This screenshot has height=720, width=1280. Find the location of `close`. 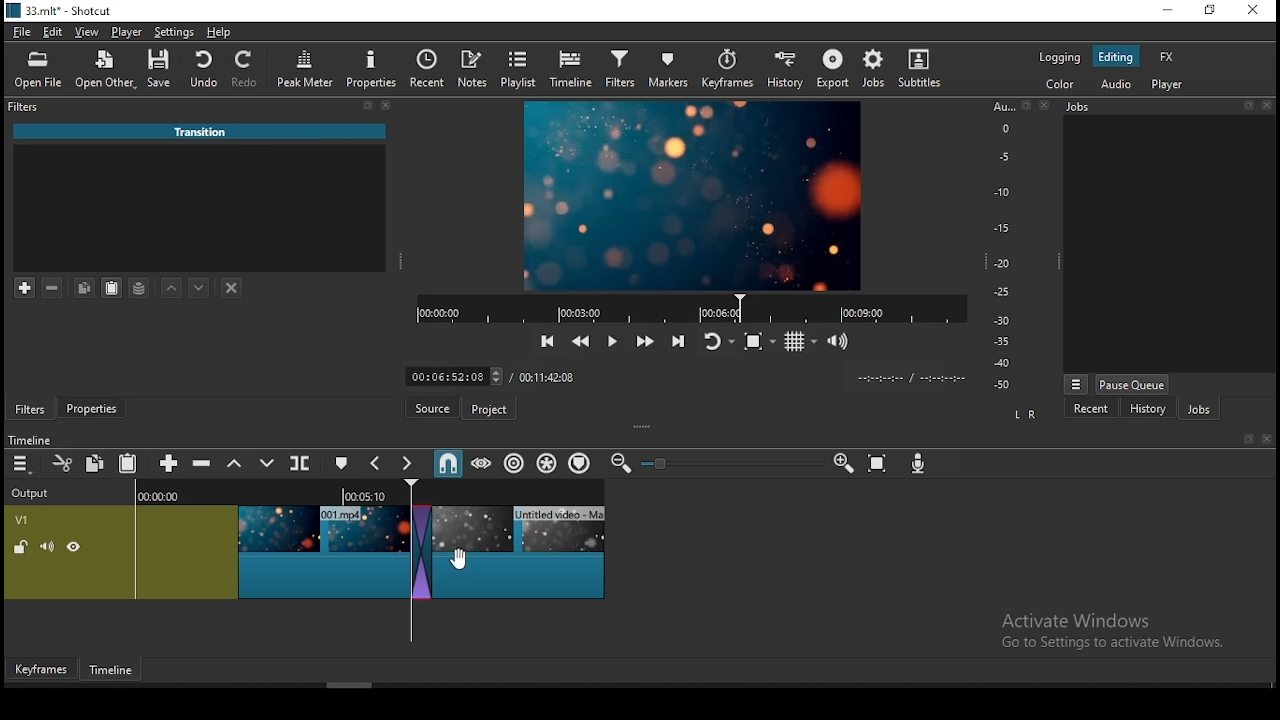

close is located at coordinates (1257, 11).